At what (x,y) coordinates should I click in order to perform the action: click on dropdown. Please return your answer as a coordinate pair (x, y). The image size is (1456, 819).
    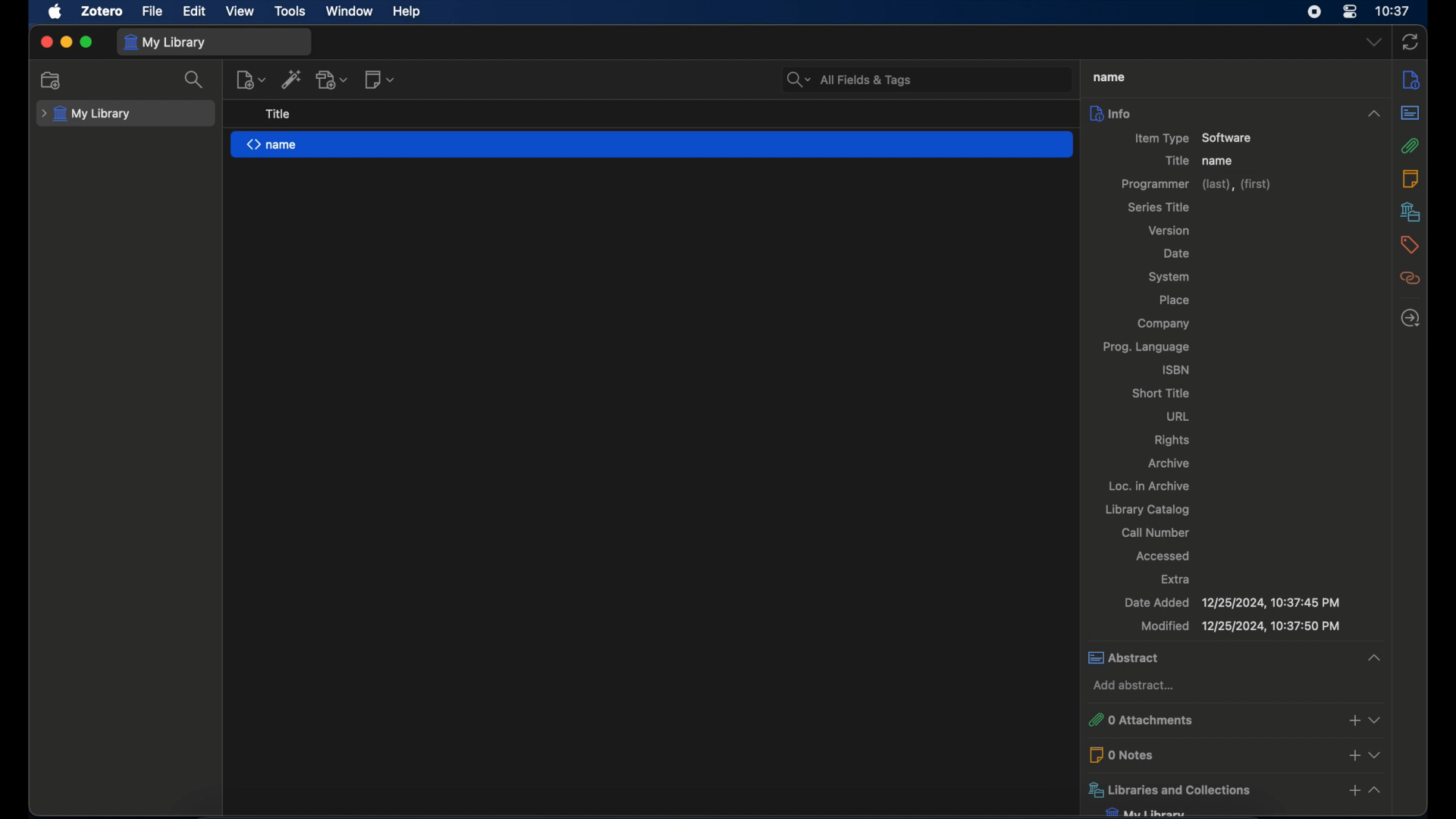
    Looking at the image, I should click on (1376, 720).